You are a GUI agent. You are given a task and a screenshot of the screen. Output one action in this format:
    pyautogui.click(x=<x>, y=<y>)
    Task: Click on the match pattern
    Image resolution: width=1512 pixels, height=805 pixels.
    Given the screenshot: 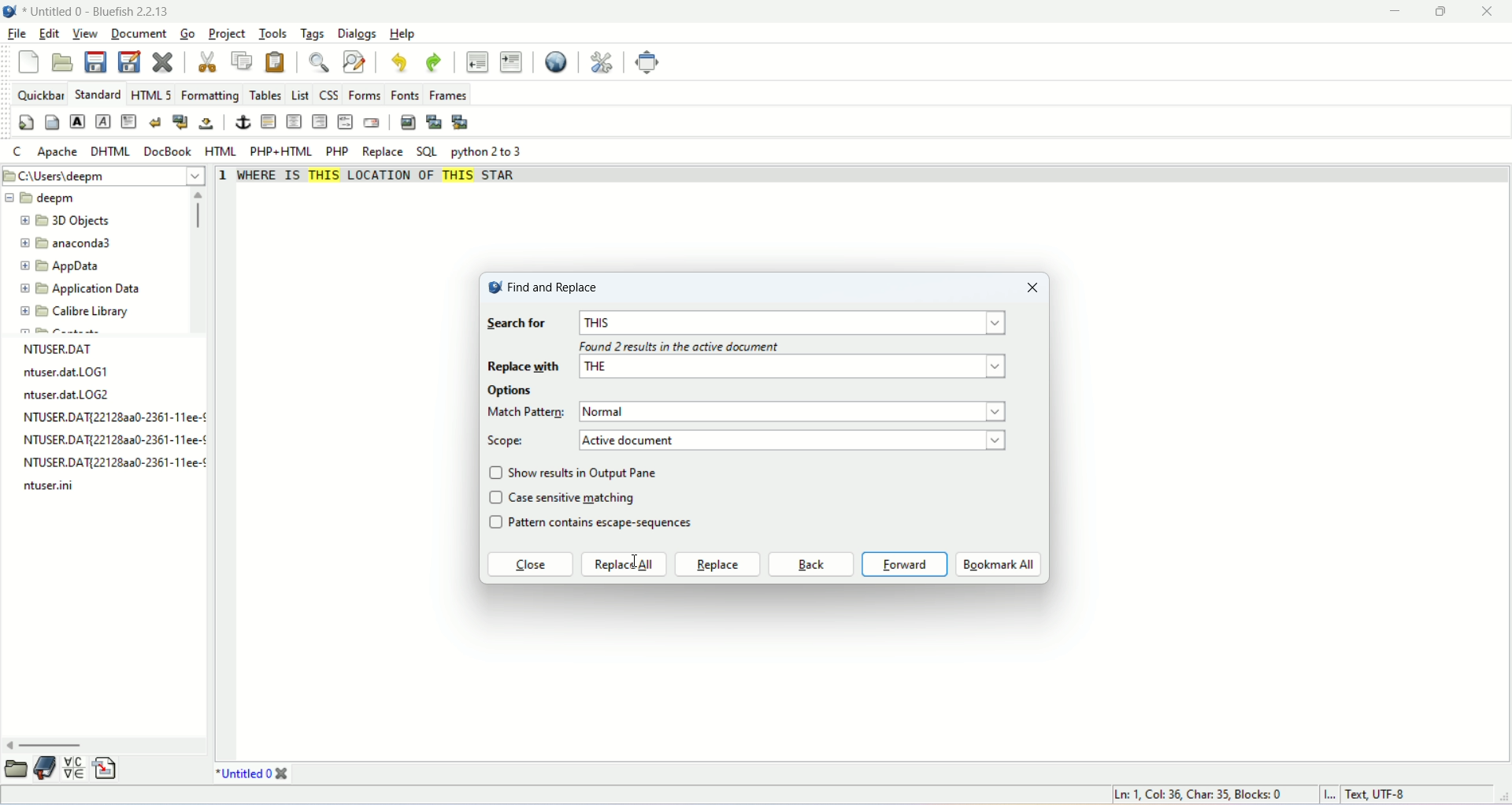 What is the action you would take?
    pyautogui.click(x=797, y=412)
    